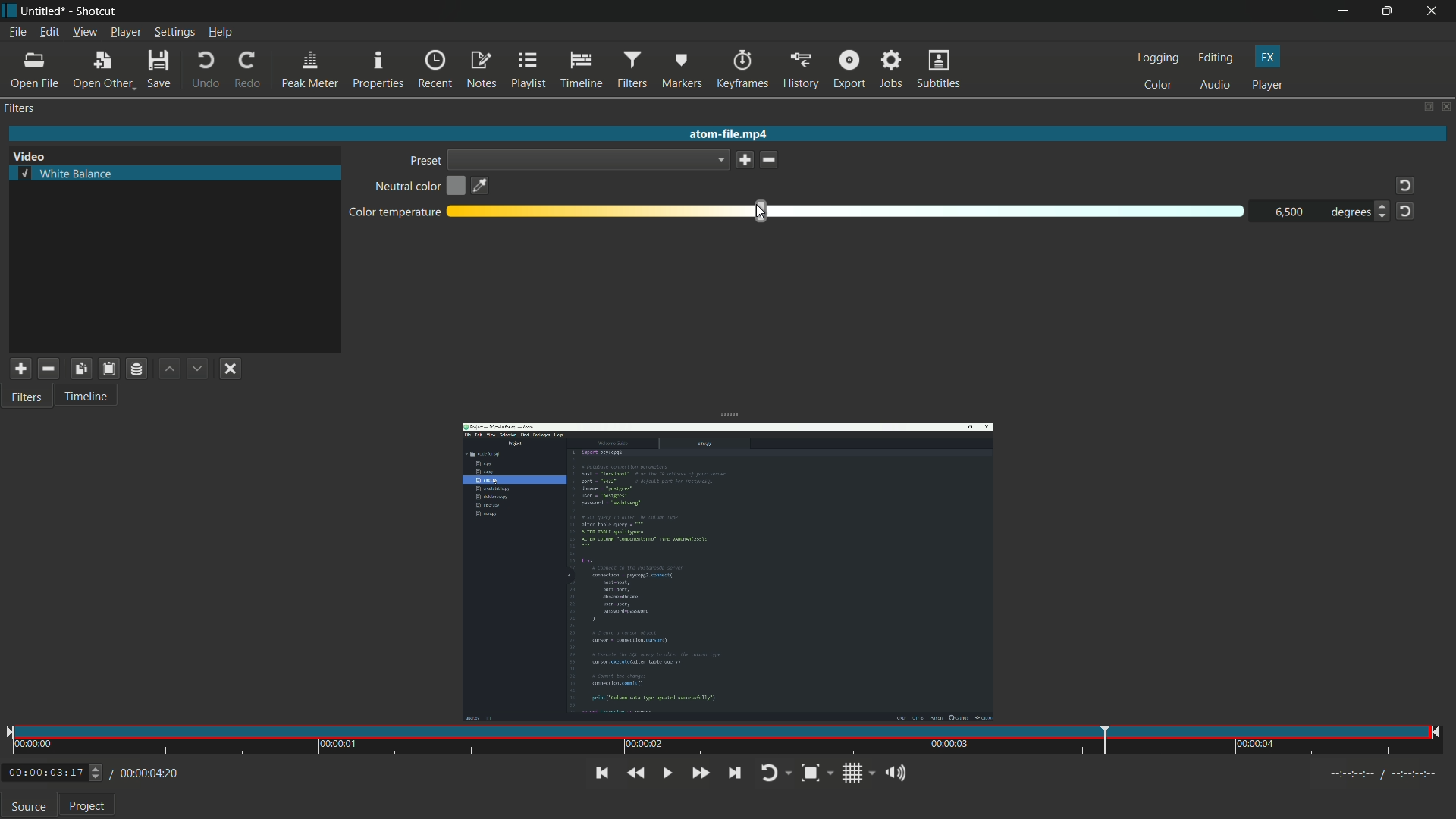  Describe the element at coordinates (220, 32) in the screenshot. I see `help menu` at that location.